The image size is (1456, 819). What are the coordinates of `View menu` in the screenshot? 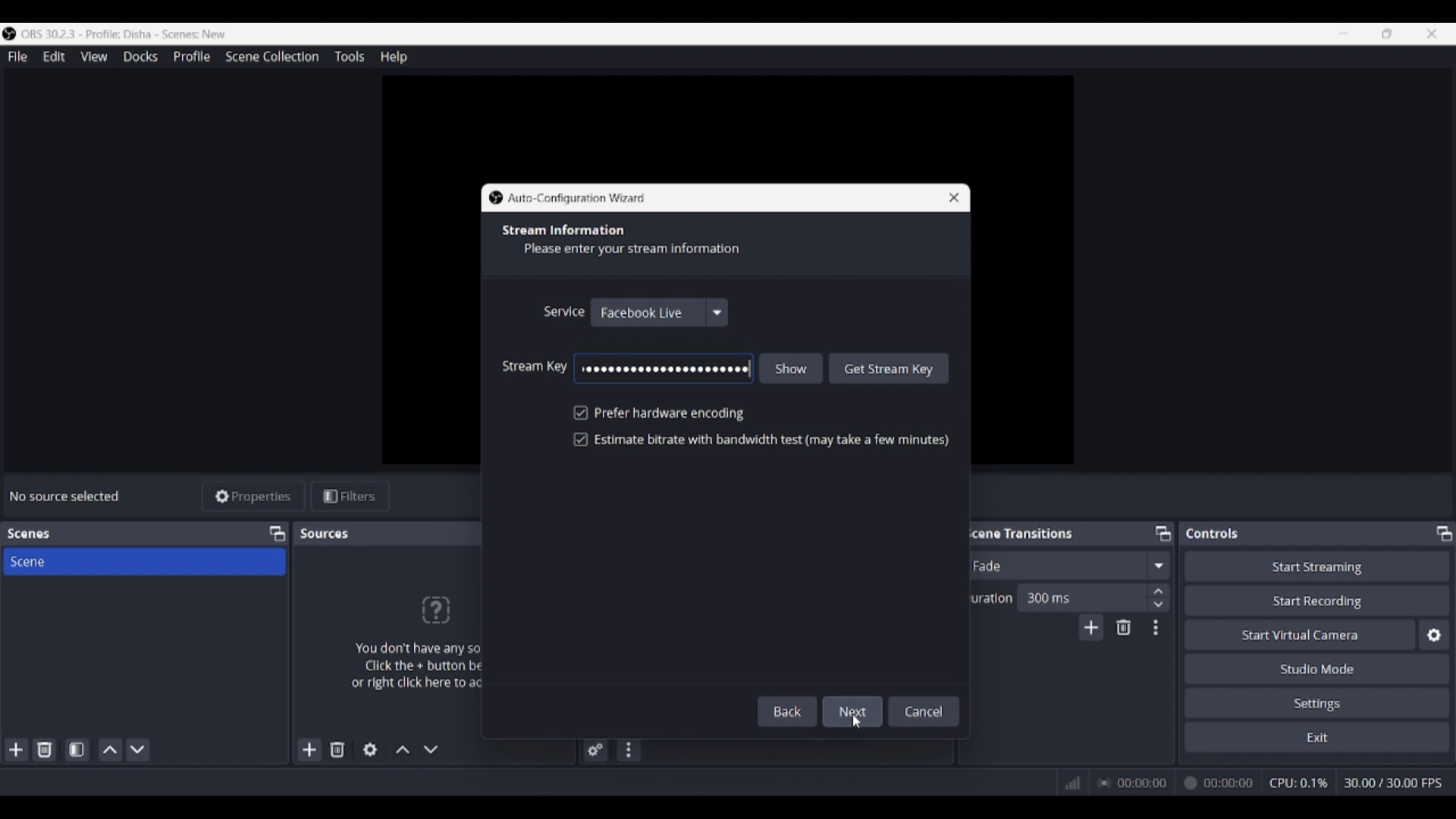 It's located at (94, 56).